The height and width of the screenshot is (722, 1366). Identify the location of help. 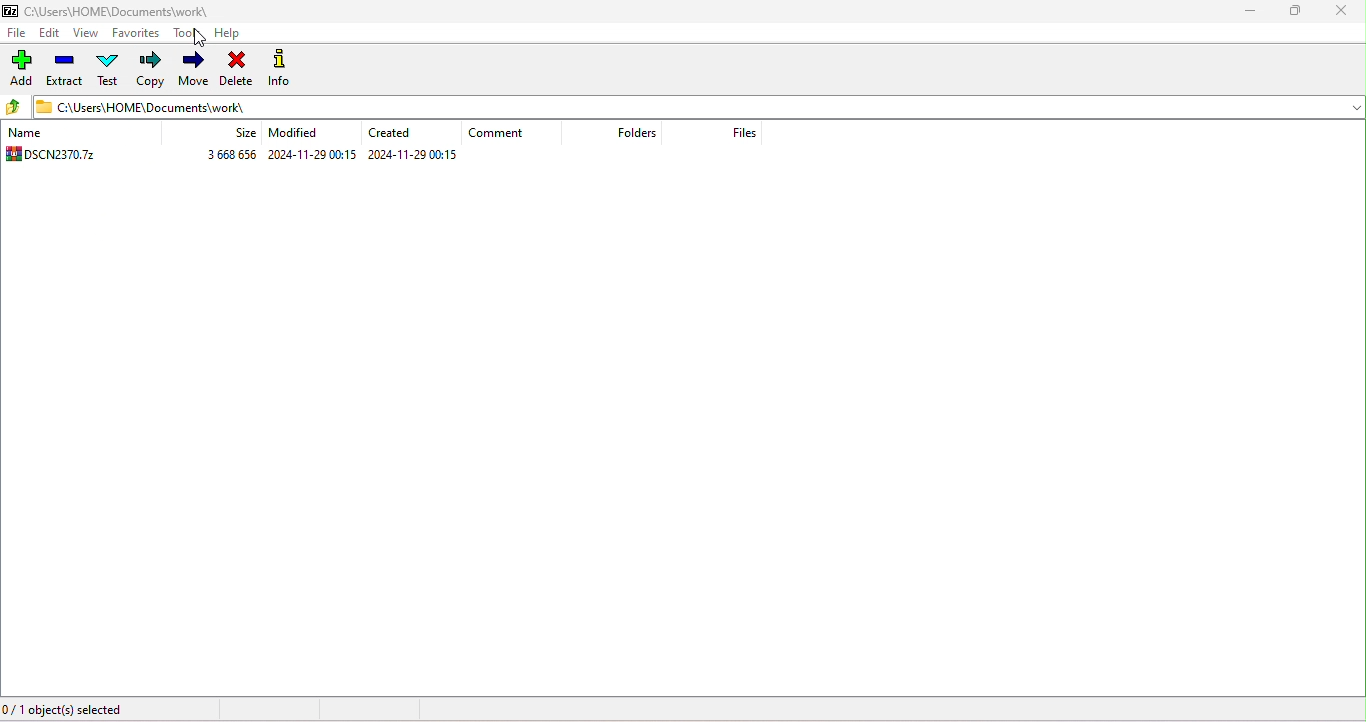
(228, 34).